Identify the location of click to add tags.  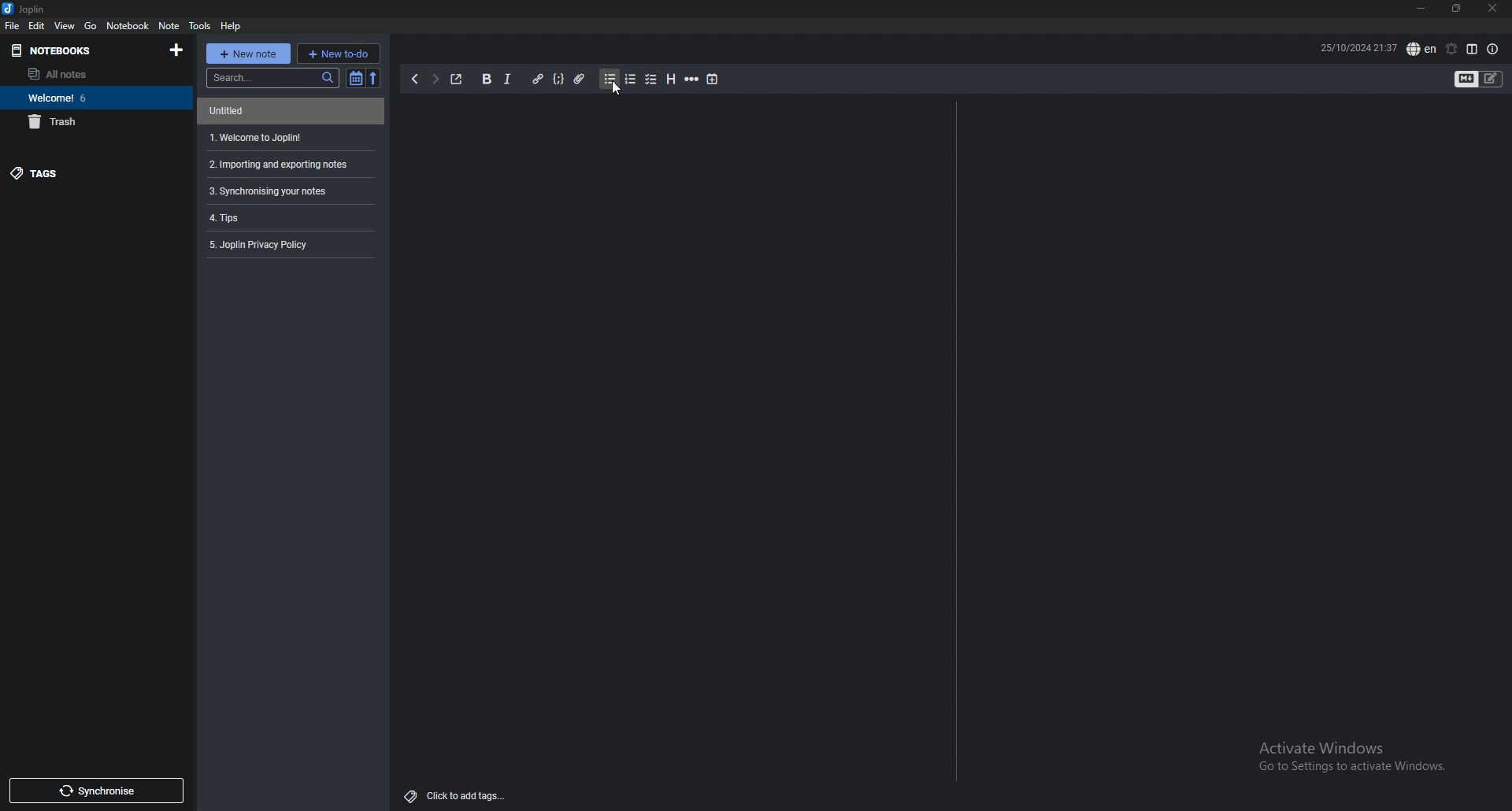
(458, 796).